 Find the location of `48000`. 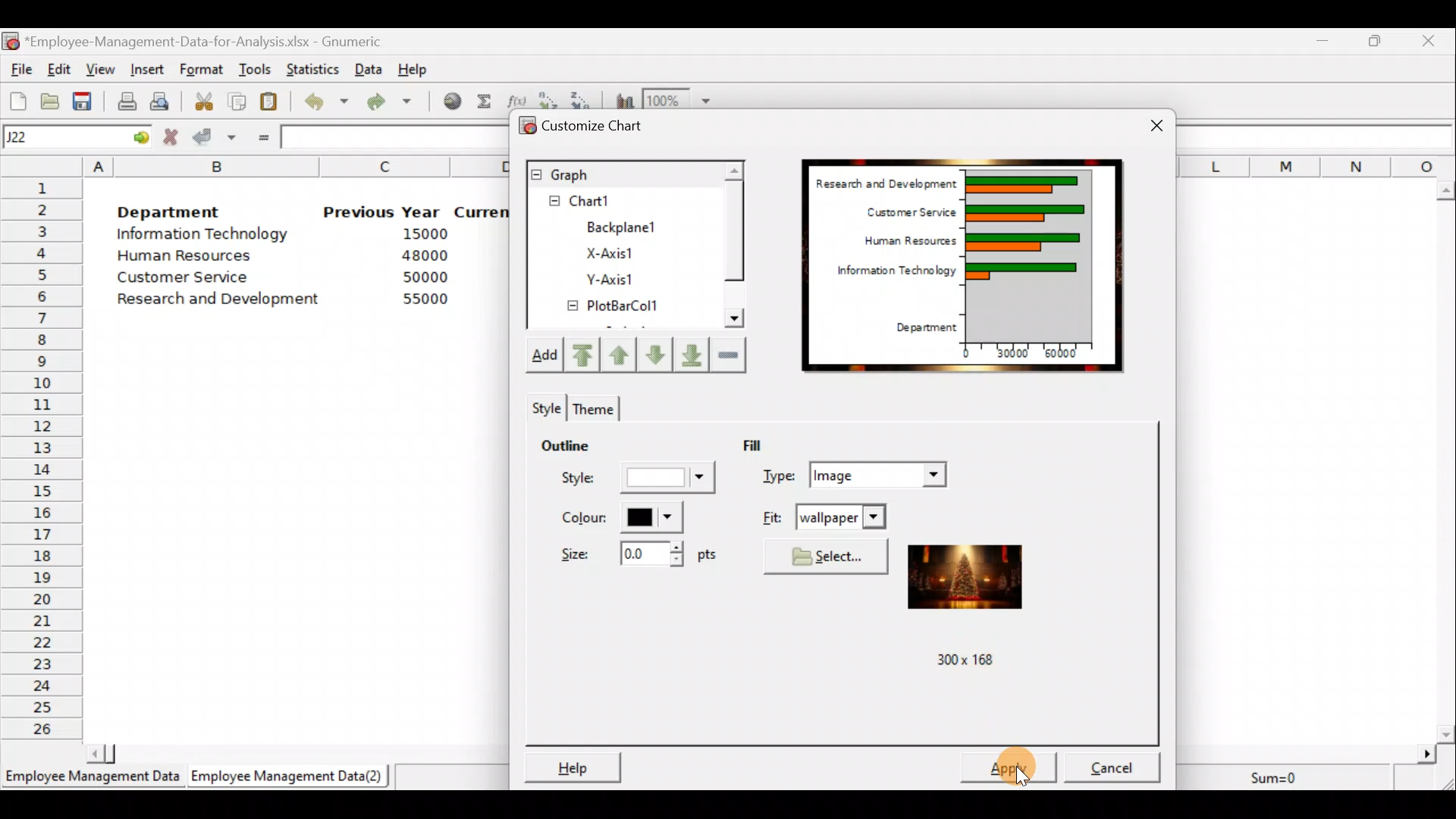

48000 is located at coordinates (424, 257).